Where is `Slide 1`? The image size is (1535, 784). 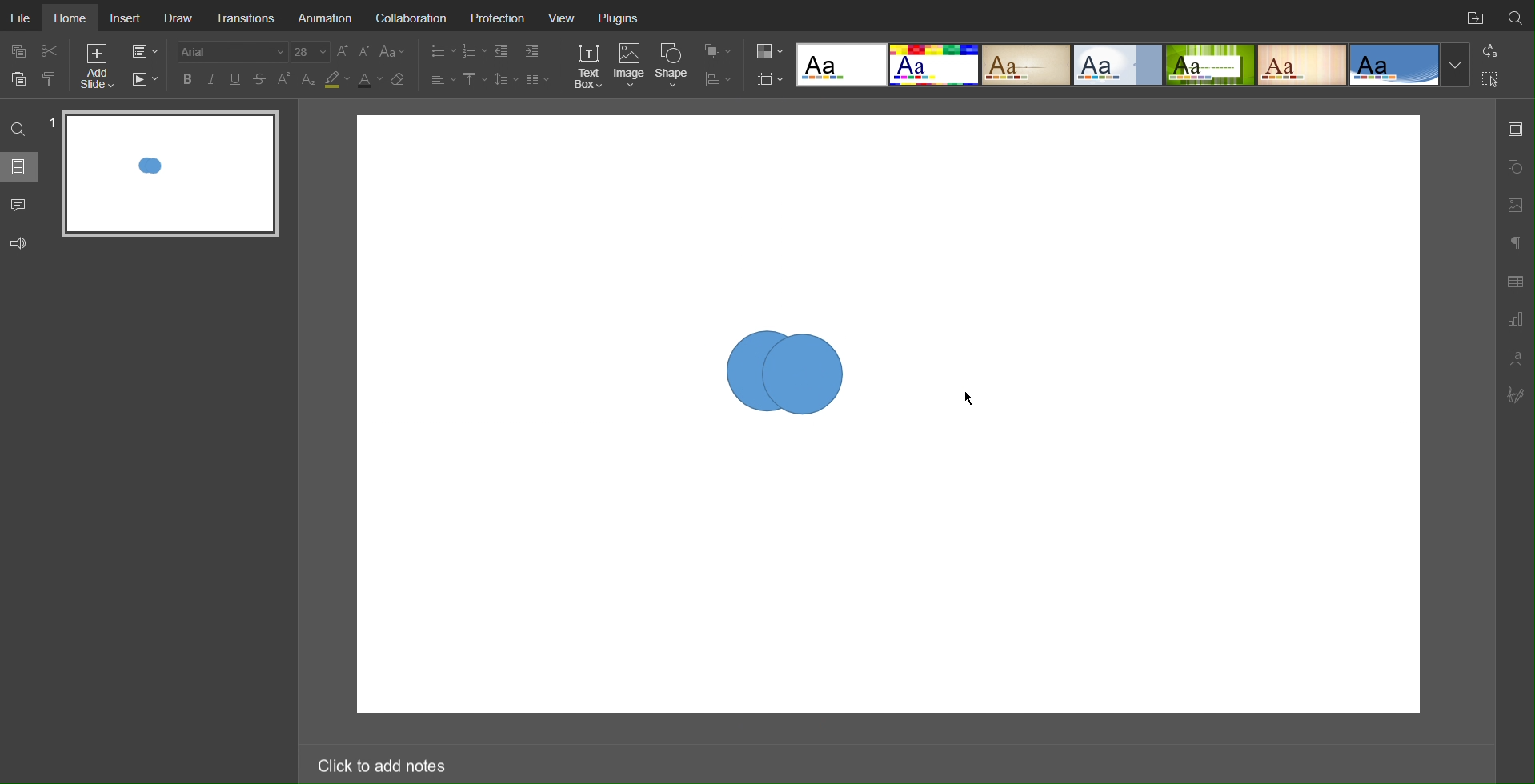 Slide 1 is located at coordinates (171, 174).